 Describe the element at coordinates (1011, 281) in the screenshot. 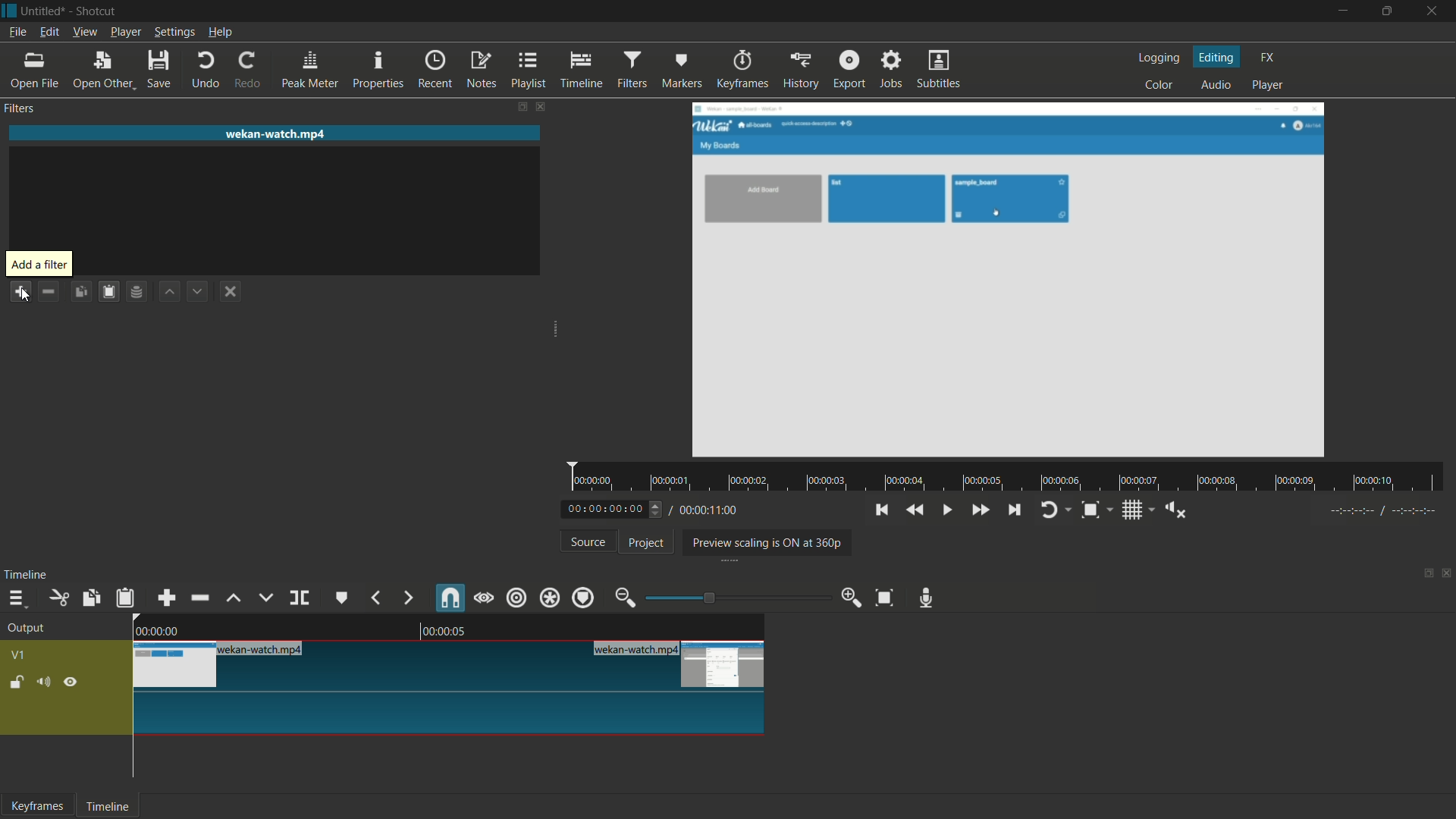

I see `preview video` at that location.